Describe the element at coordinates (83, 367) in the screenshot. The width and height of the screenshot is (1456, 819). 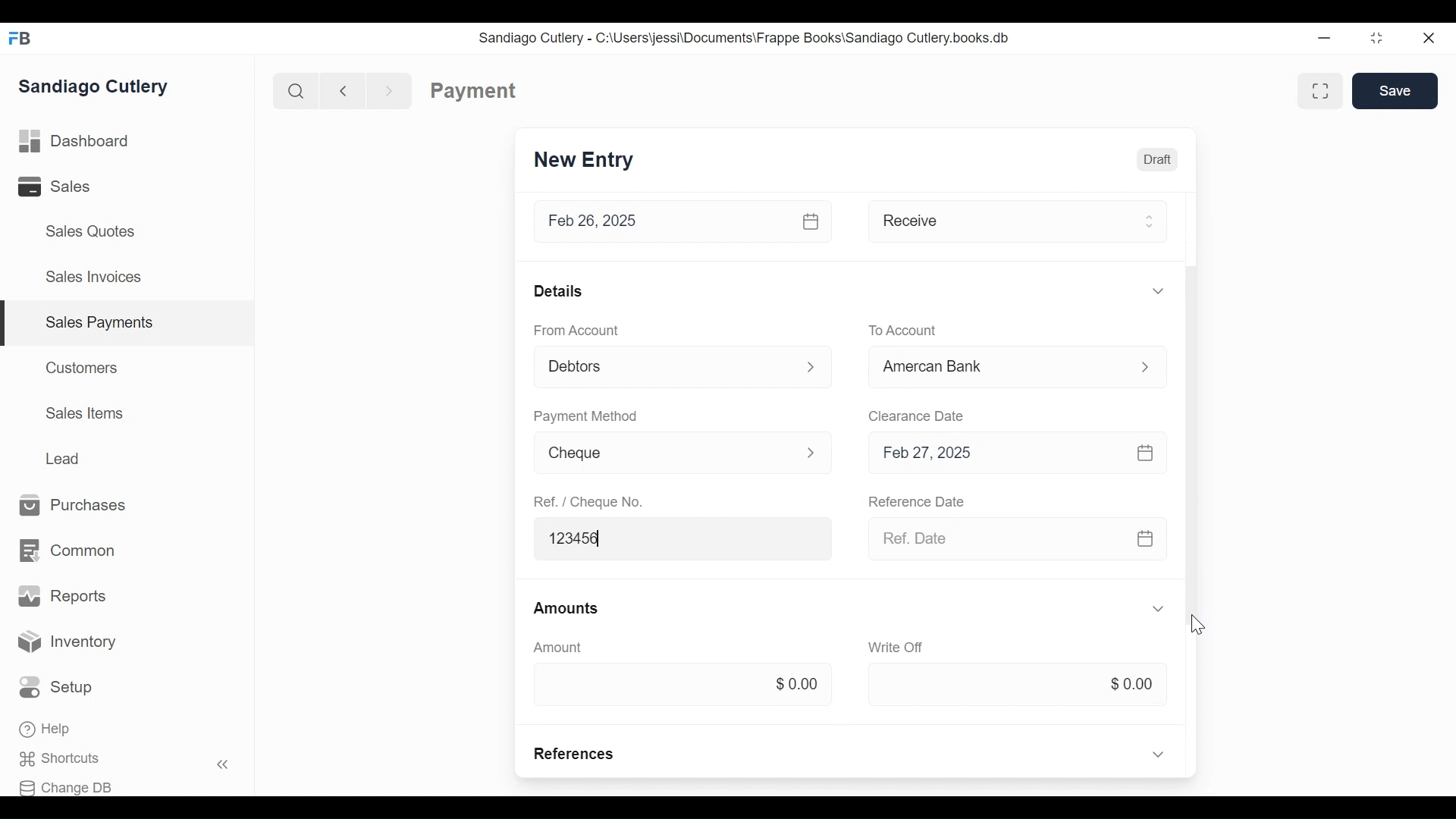
I see `Customers` at that location.